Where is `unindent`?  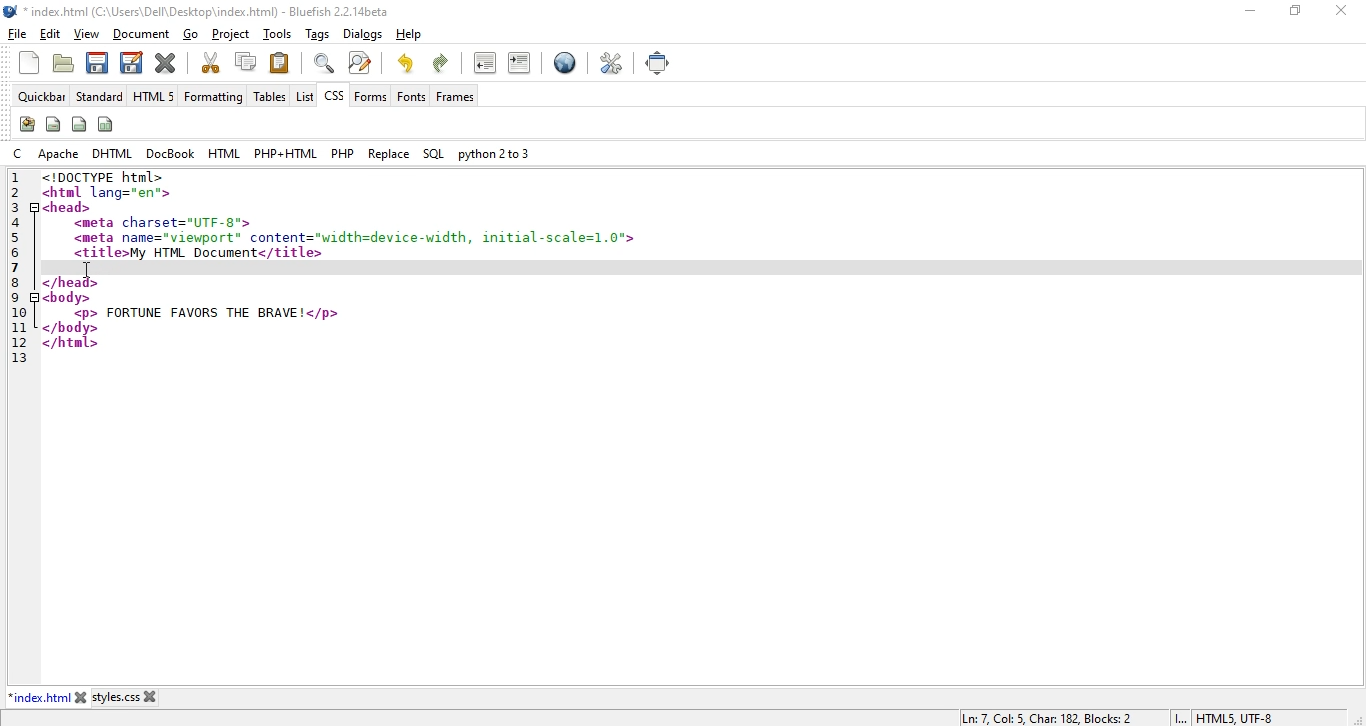 unindent is located at coordinates (485, 62).